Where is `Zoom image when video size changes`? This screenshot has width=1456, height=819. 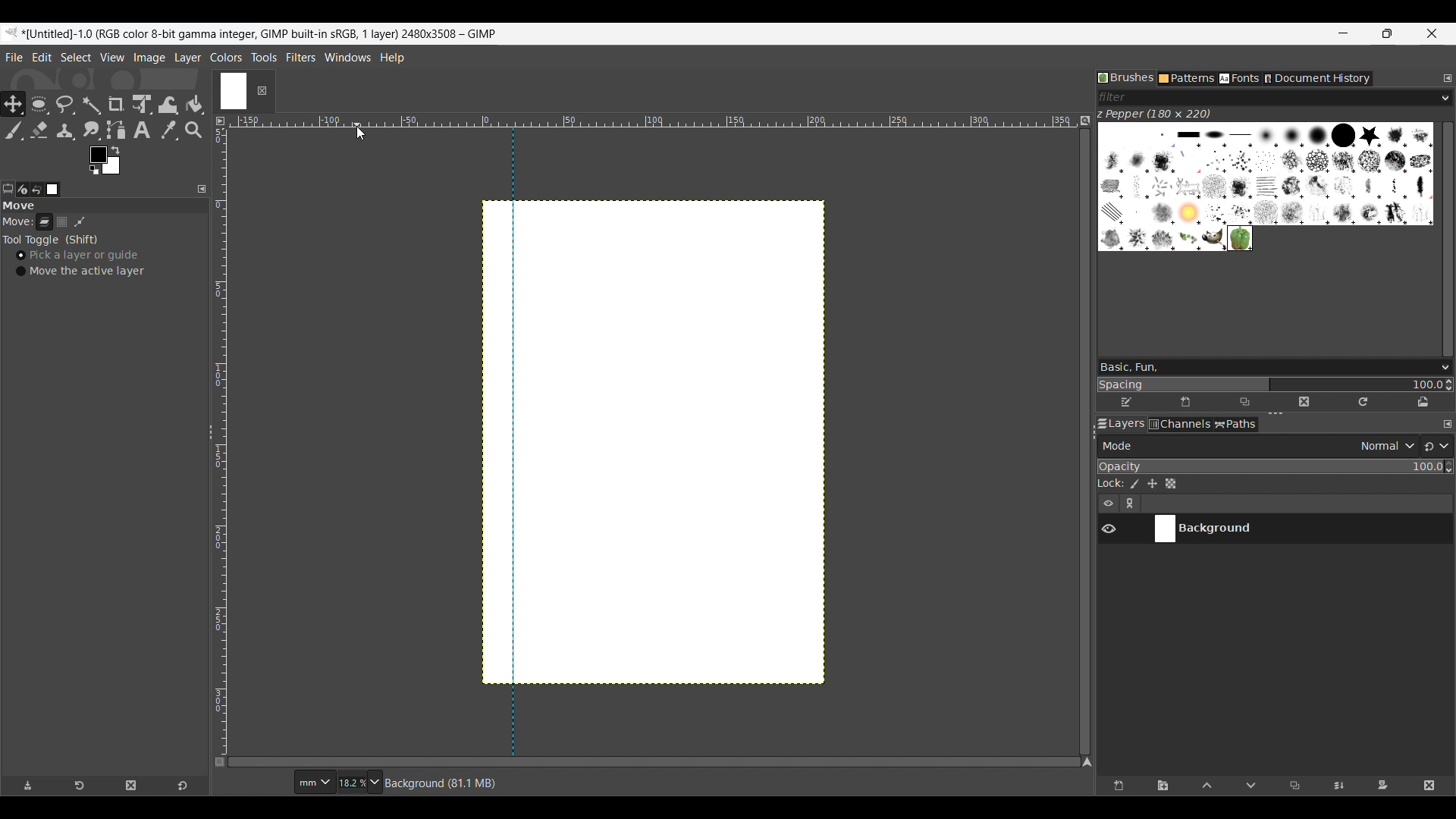
Zoom image when video size changes is located at coordinates (1084, 121).